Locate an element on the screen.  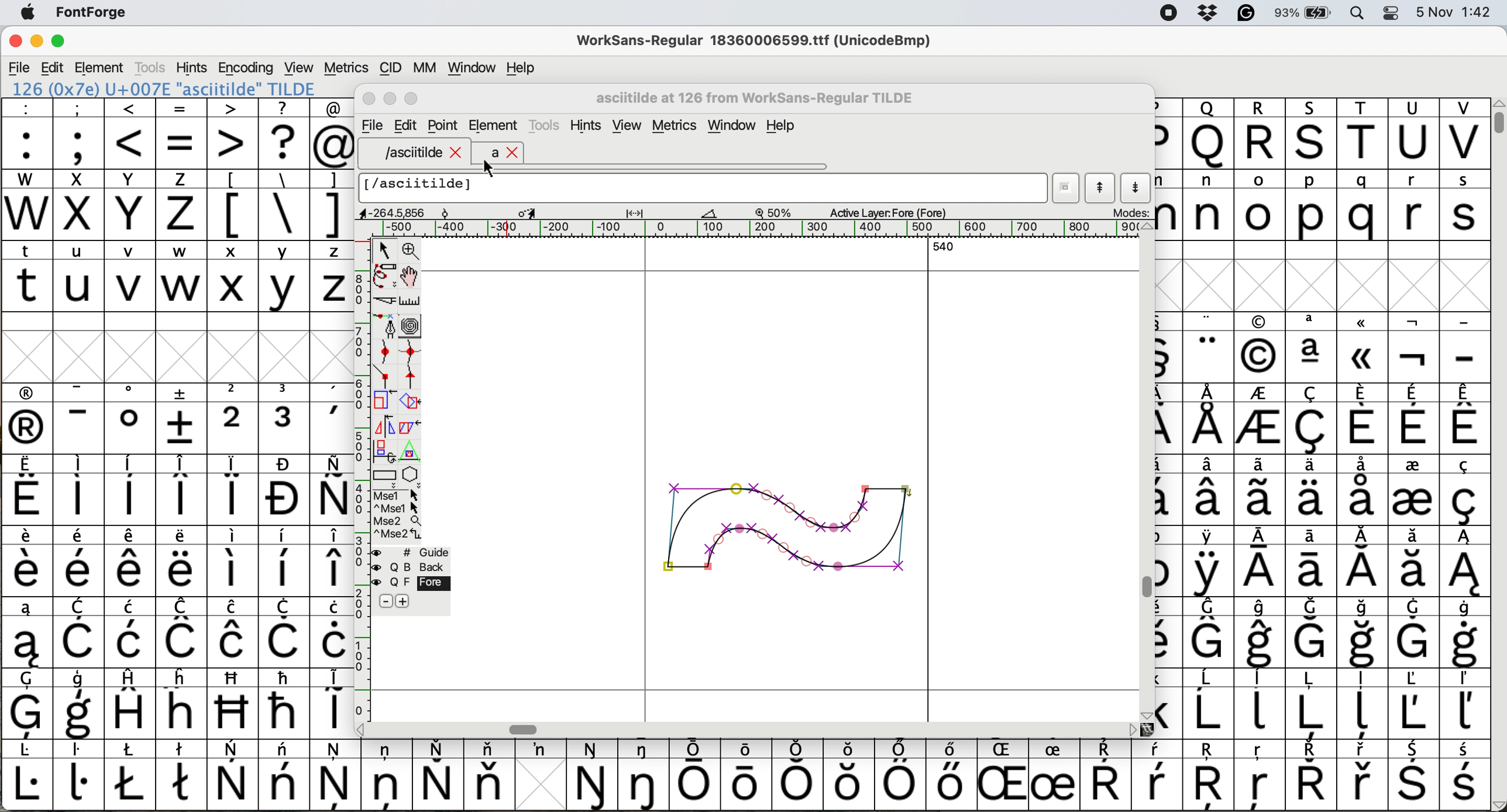
q is located at coordinates (1365, 206).